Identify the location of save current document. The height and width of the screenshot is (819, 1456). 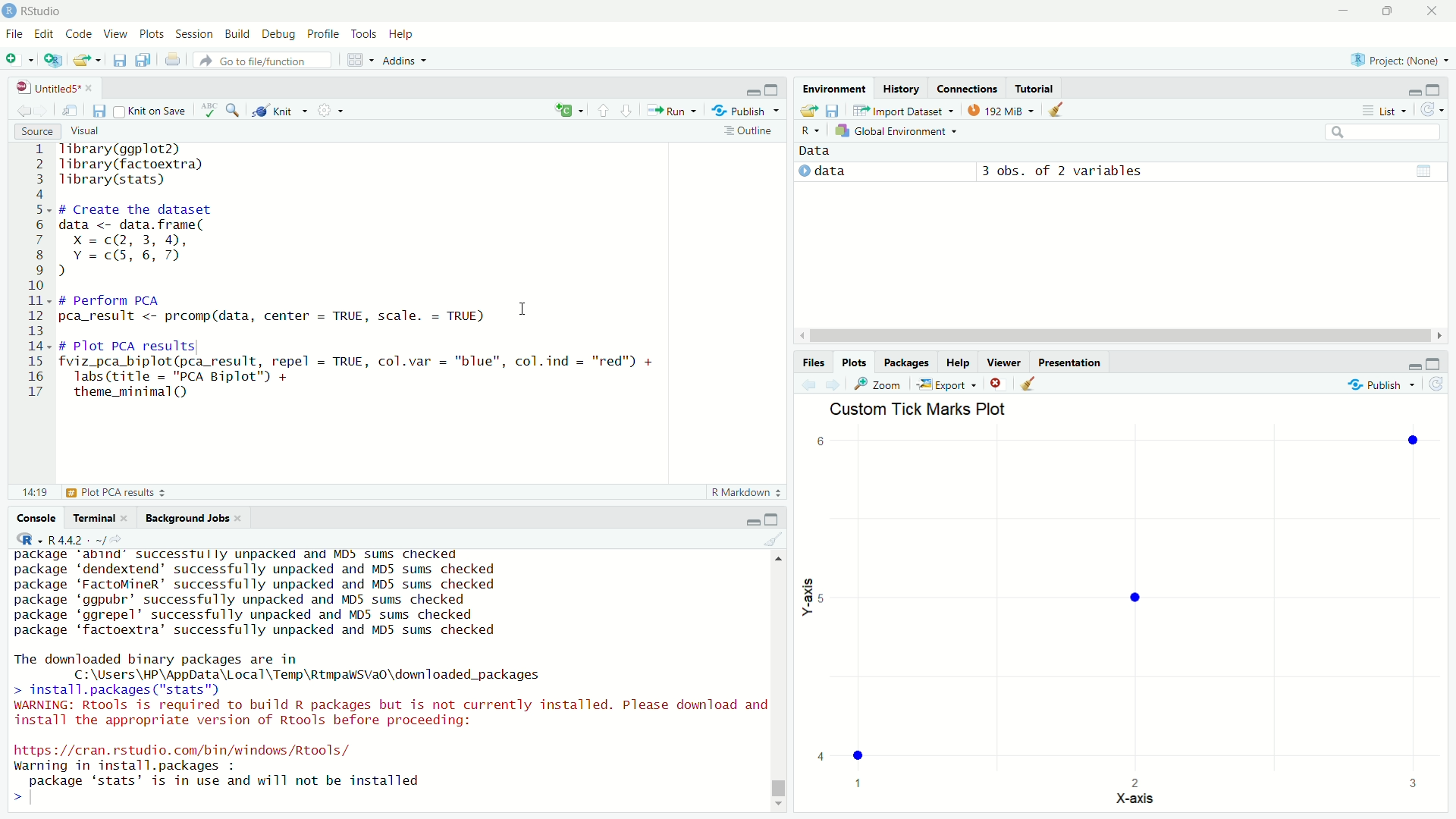
(100, 111).